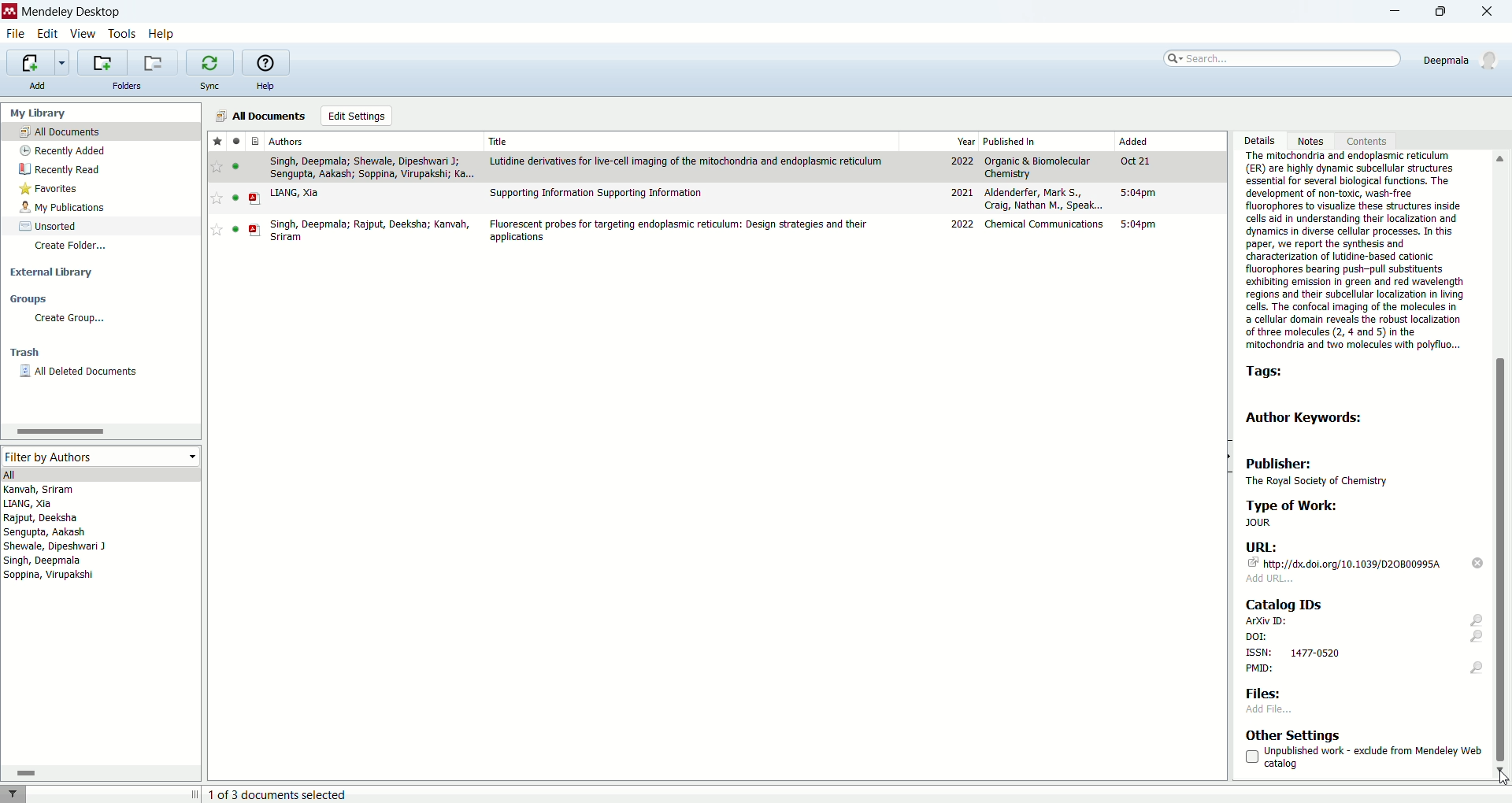 The height and width of the screenshot is (803, 1512). Describe the element at coordinates (73, 247) in the screenshot. I see `create folder` at that location.